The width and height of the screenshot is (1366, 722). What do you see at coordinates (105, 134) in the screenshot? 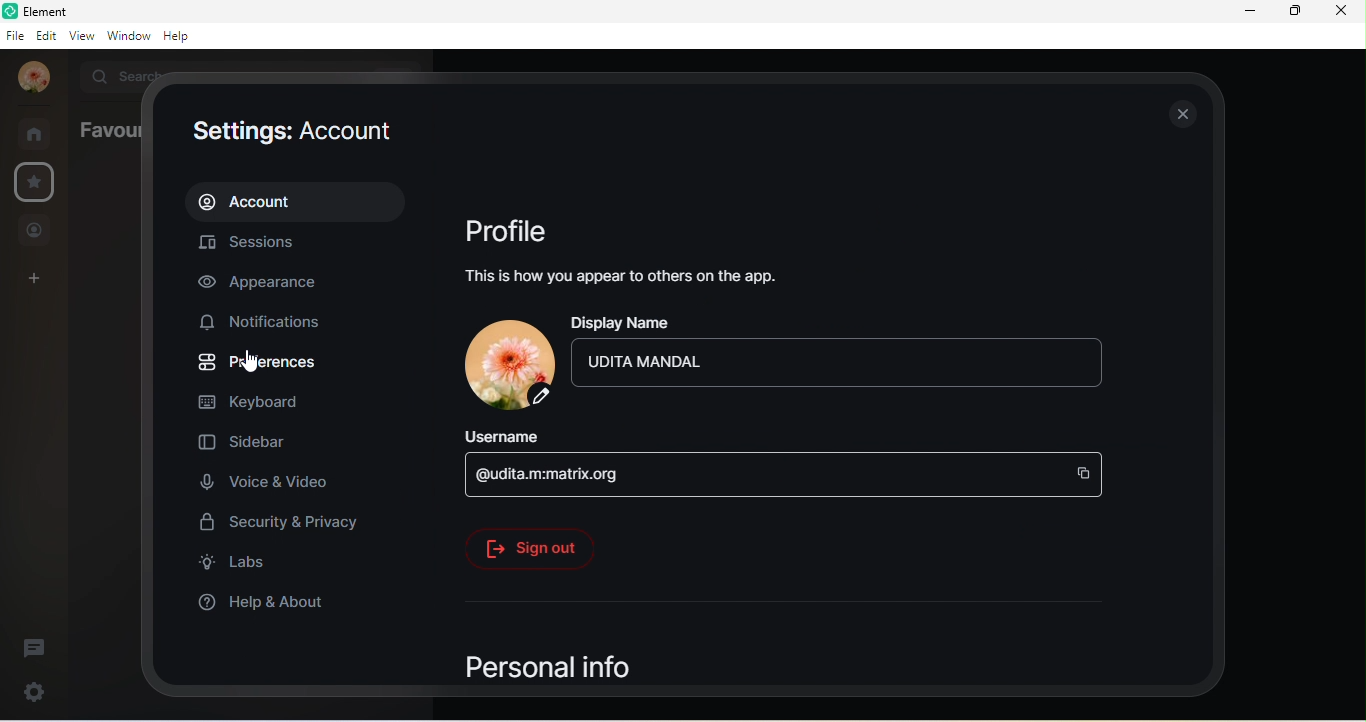
I see `favourites` at bounding box center [105, 134].